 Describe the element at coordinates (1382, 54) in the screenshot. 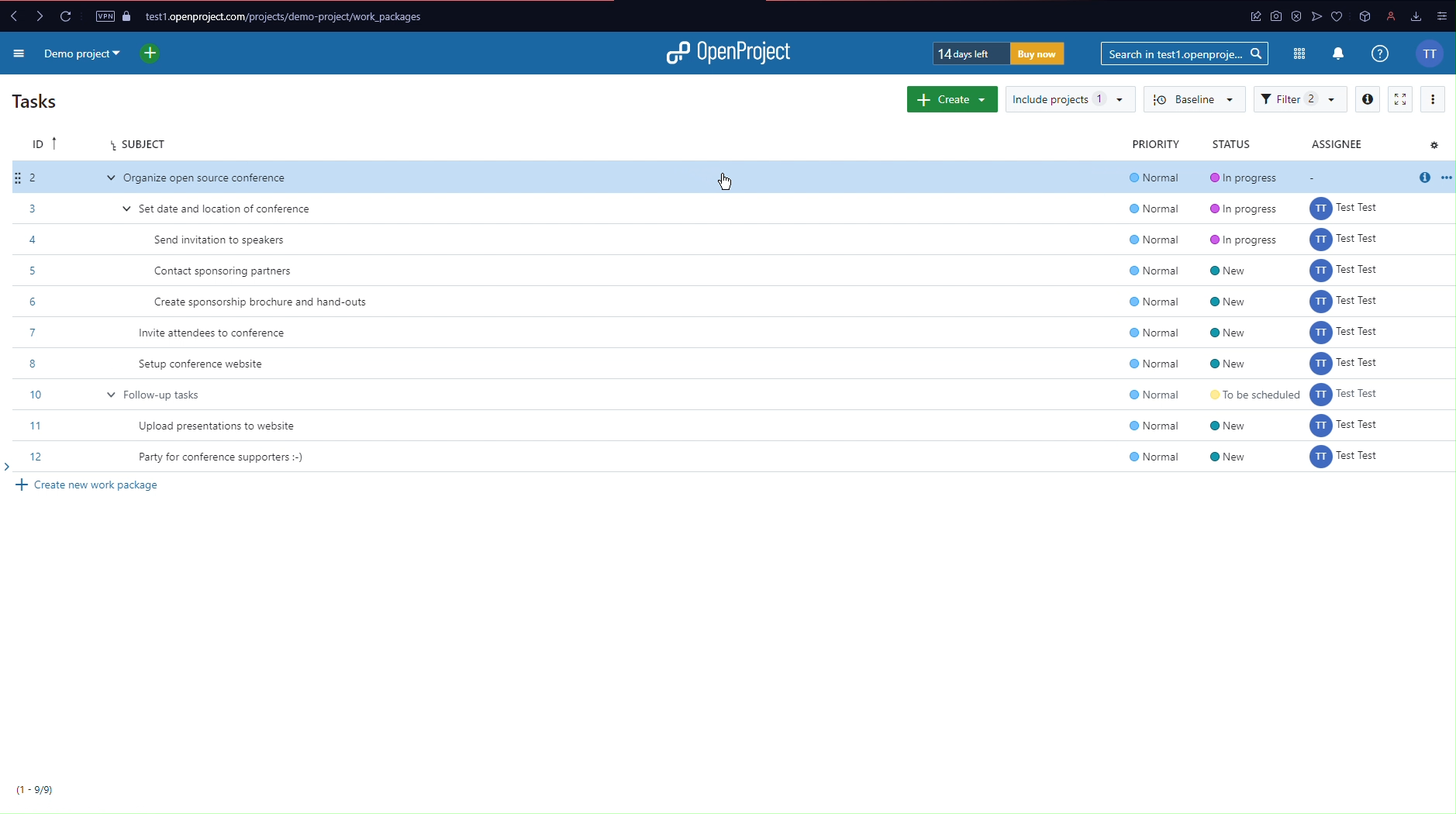

I see `Info` at that location.